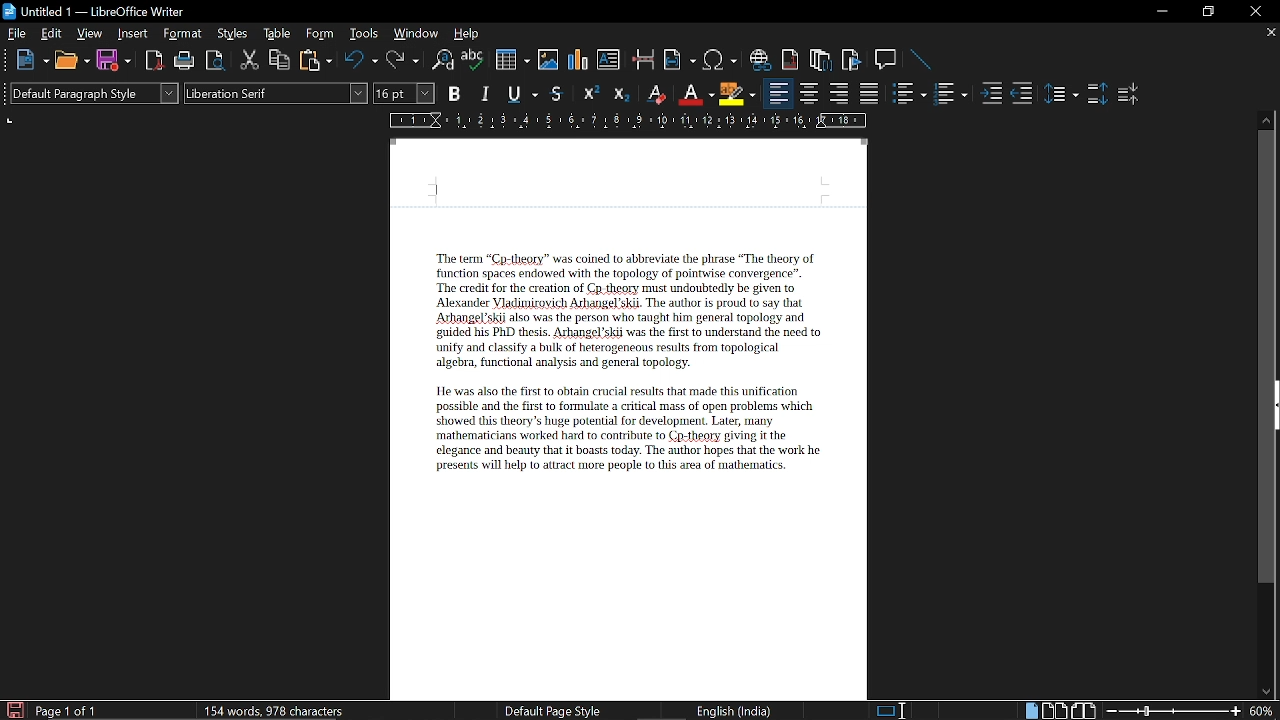 This screenshot has height=720, width=1280. I want to click on Move down, so click(1265, 692).